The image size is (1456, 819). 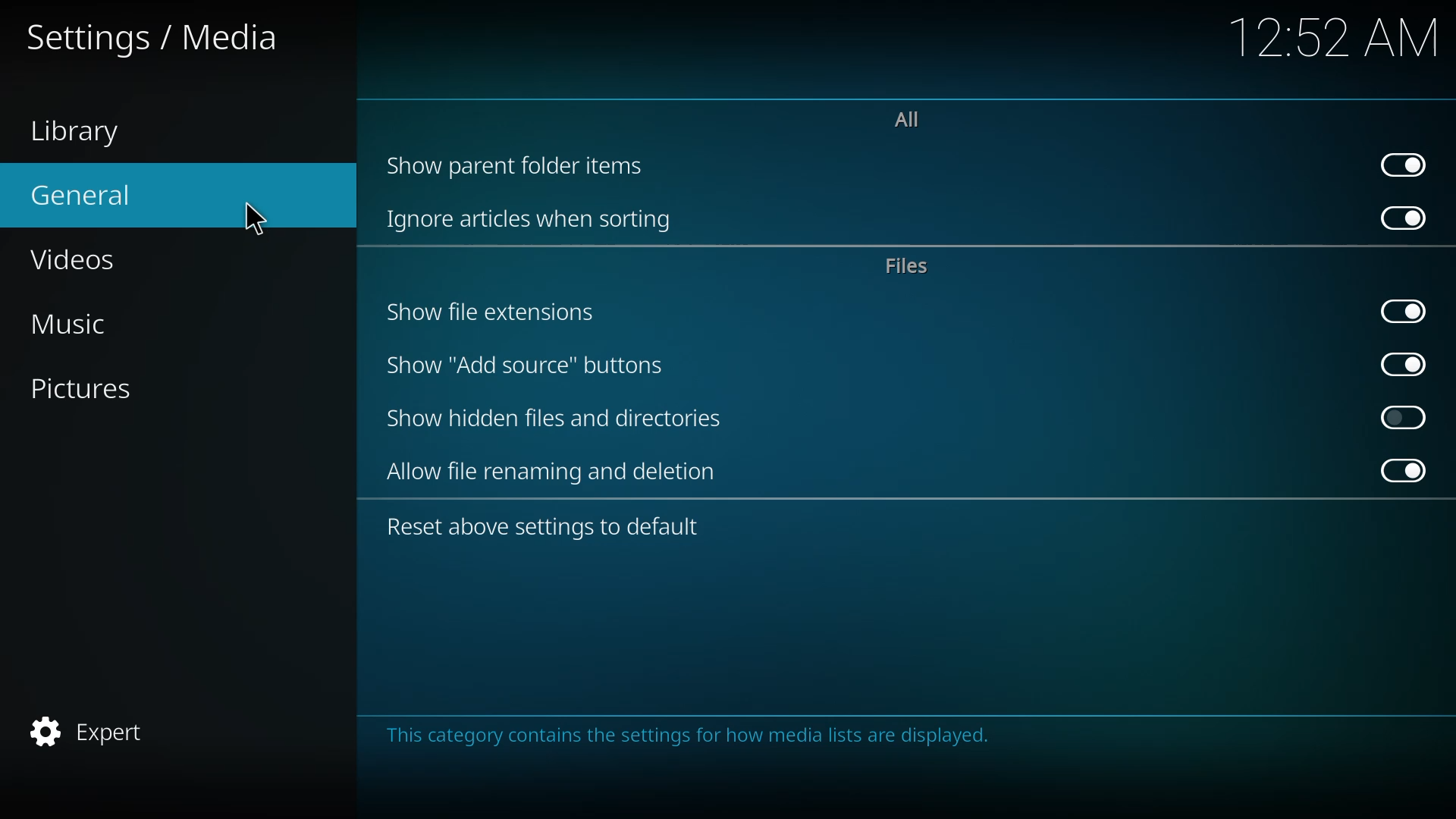 What do you see at coordinates (496, 311) in the screenshot?
I see `show file extensions` at bounding box center [496, 311].